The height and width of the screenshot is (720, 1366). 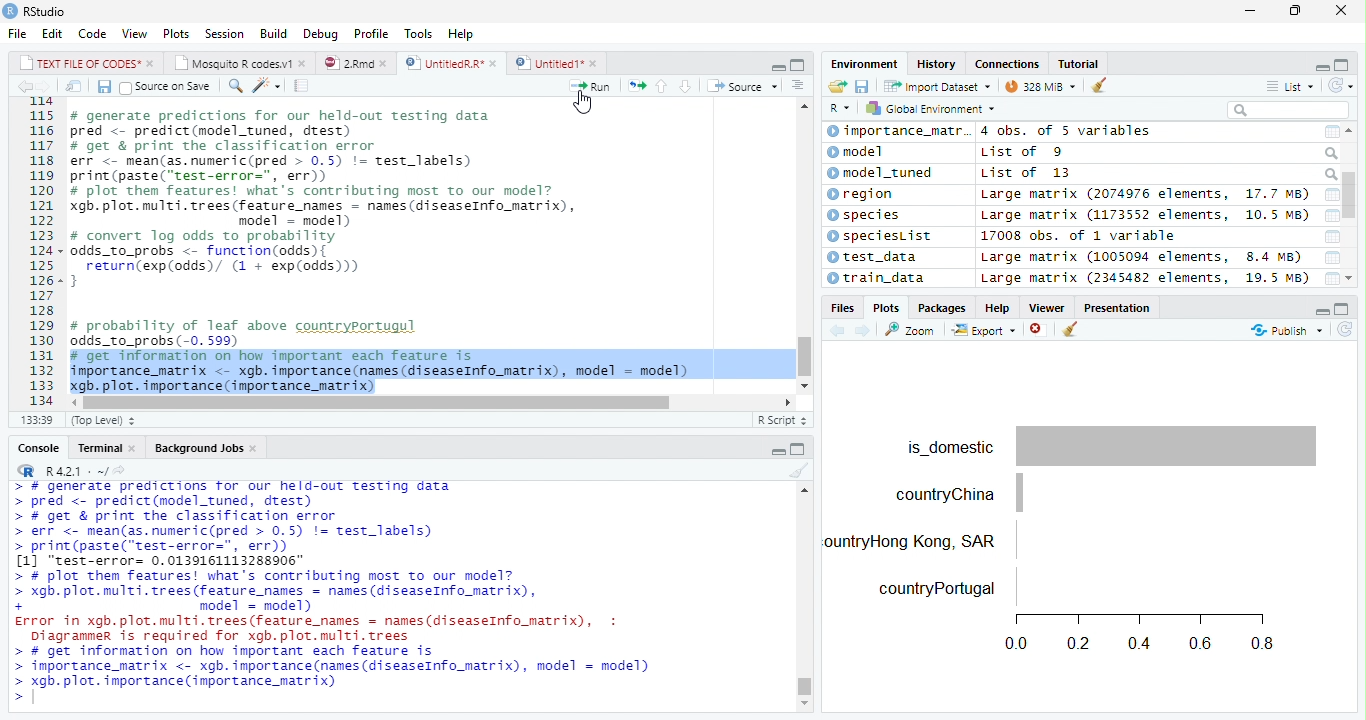 What do you see at coordinates (1331, 214) in the screenshot?
I see `Date` at bounding box center [1331, 214].